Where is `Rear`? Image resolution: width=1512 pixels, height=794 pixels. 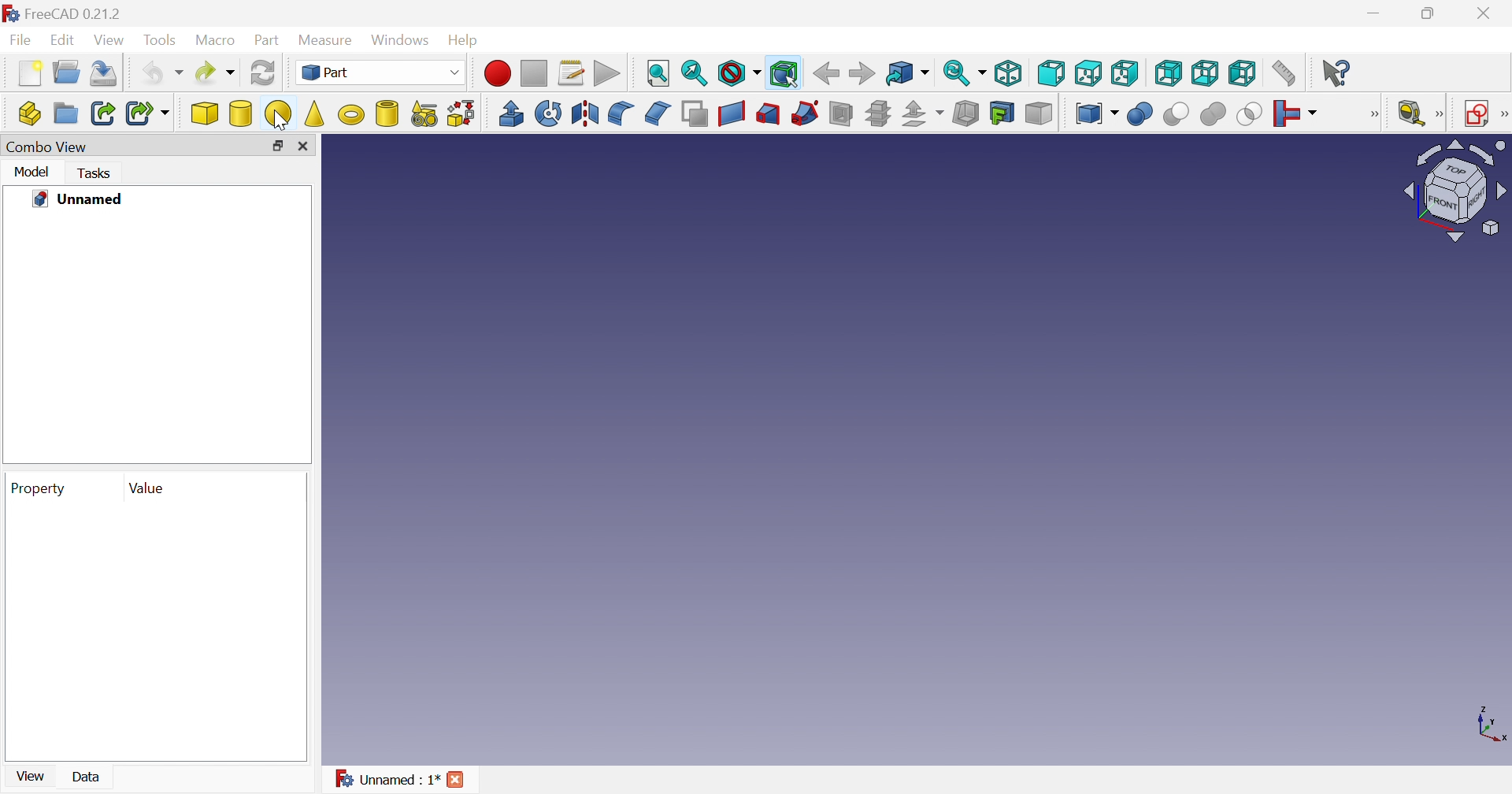 Rear is located at coordinates (1169, 72).